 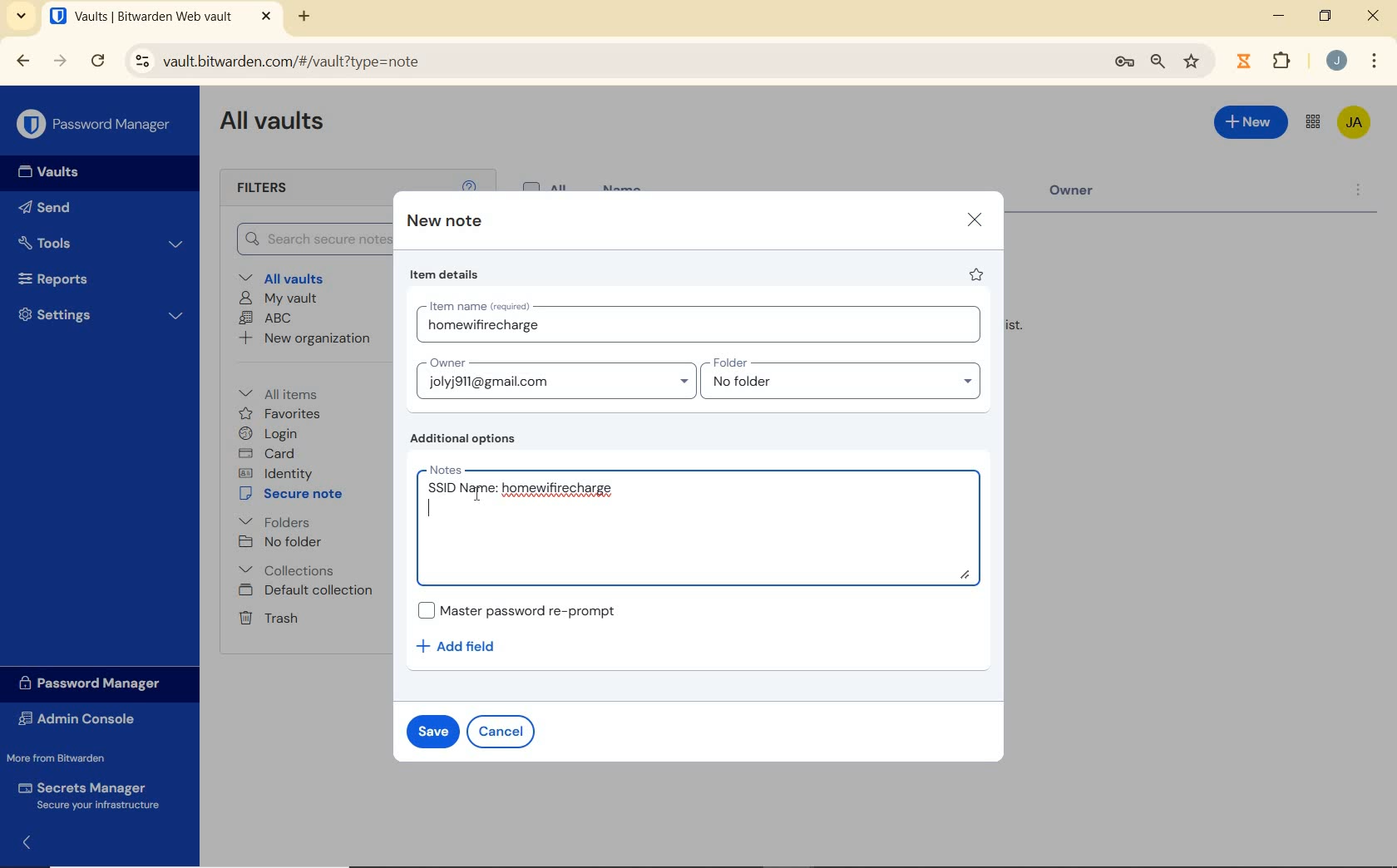 I want to click on Account, so click(x=1335, y=60).